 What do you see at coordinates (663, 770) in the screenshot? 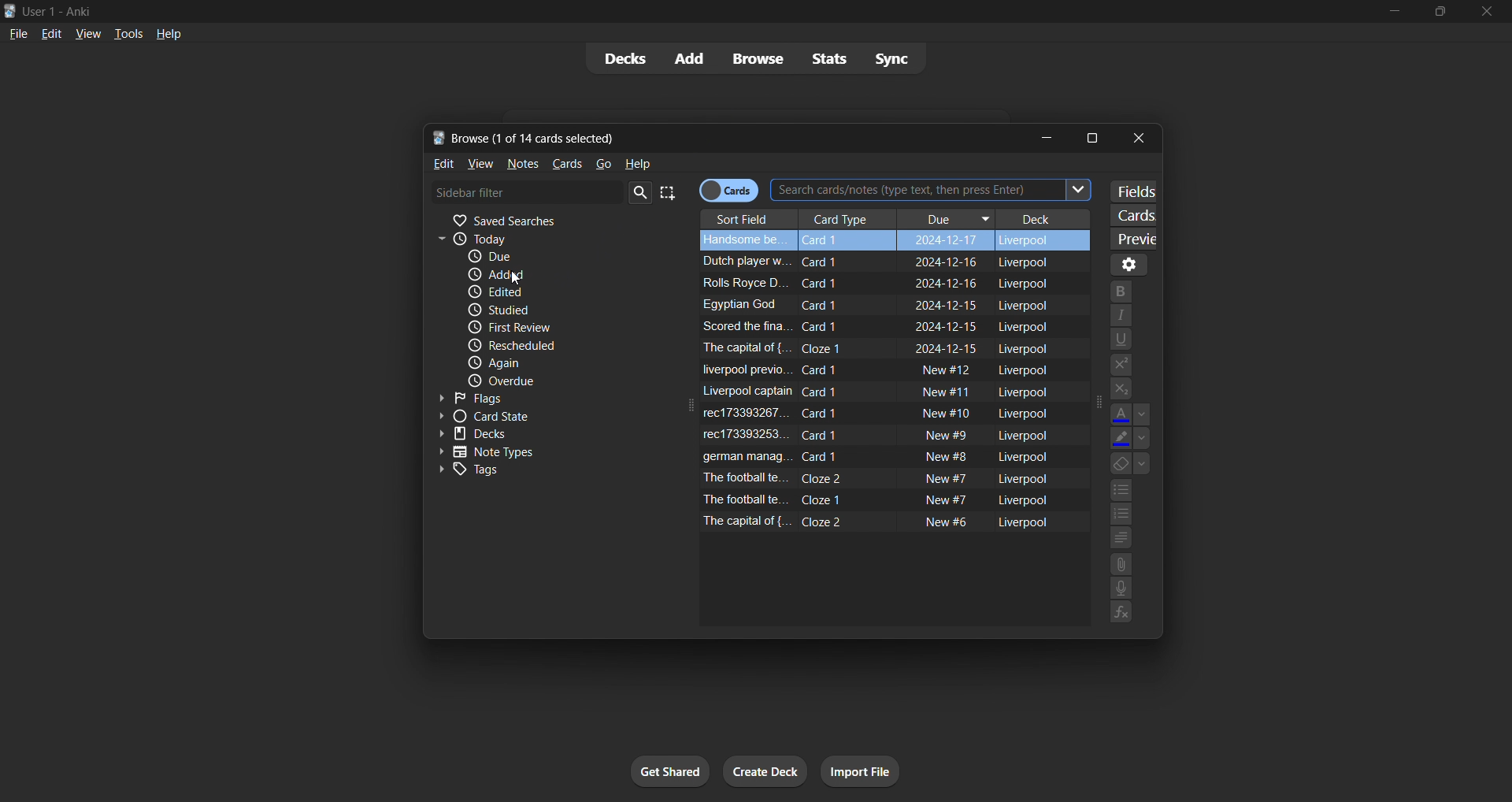
I see `get shared` at bounding box center [663, 770].